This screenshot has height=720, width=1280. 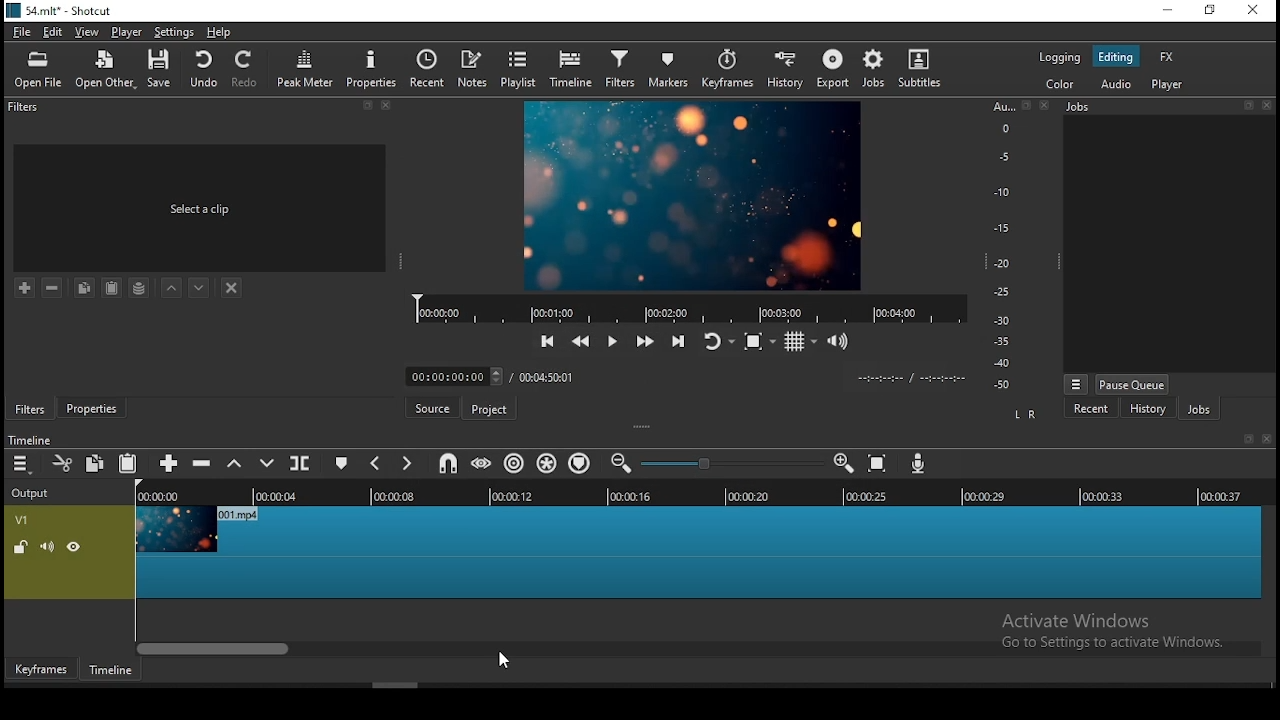 I want to click on 00:00:08, so click(x=402, y=497).